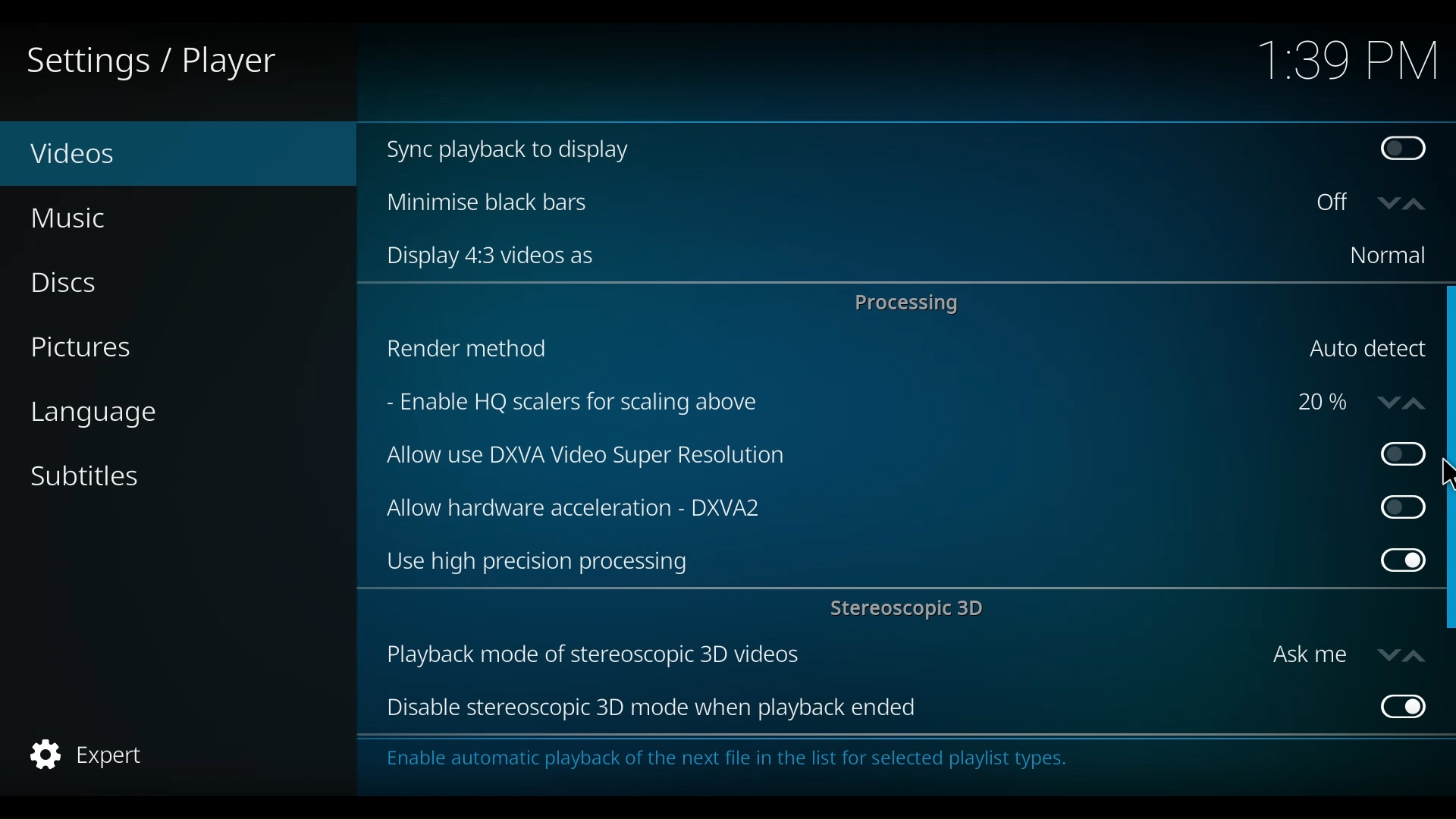  What do you see at coordinates (844, 256) in the screenshot?
I see `Display 4:3 videos as` at bounding box center [844, 256].